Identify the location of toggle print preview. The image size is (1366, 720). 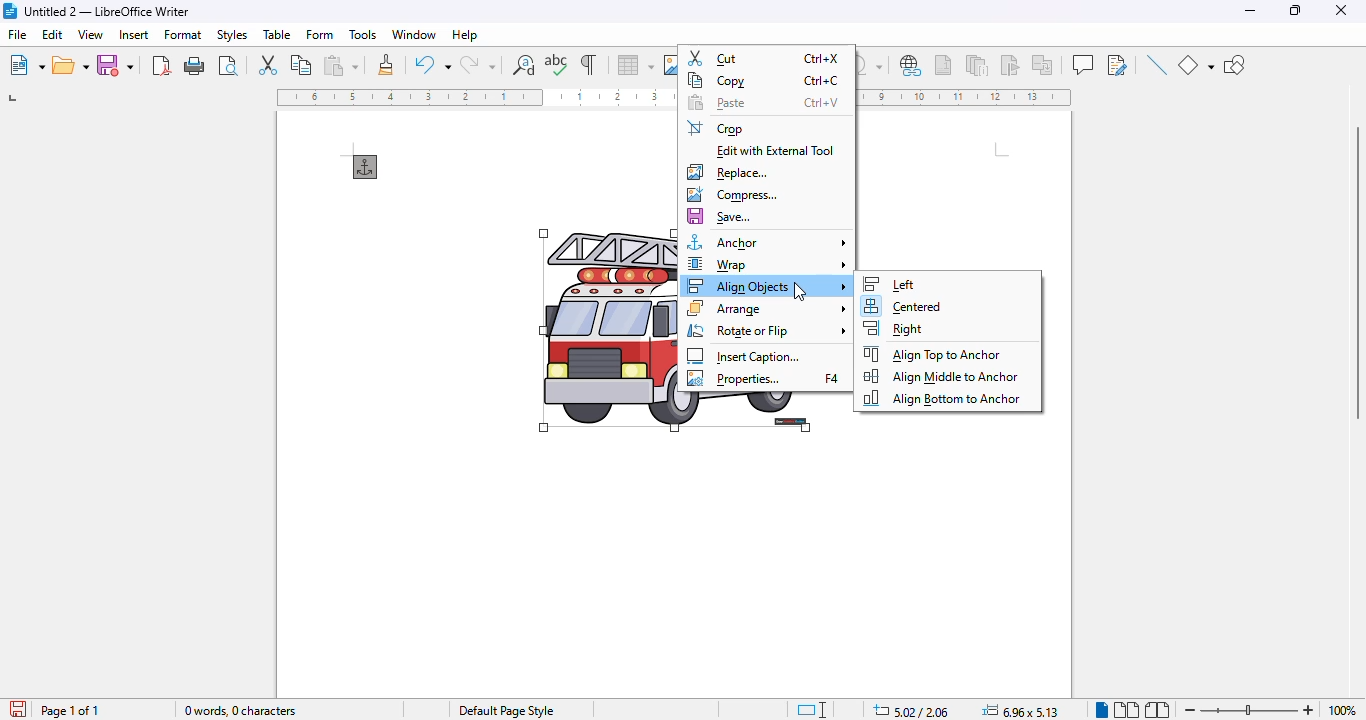
(228, 65).